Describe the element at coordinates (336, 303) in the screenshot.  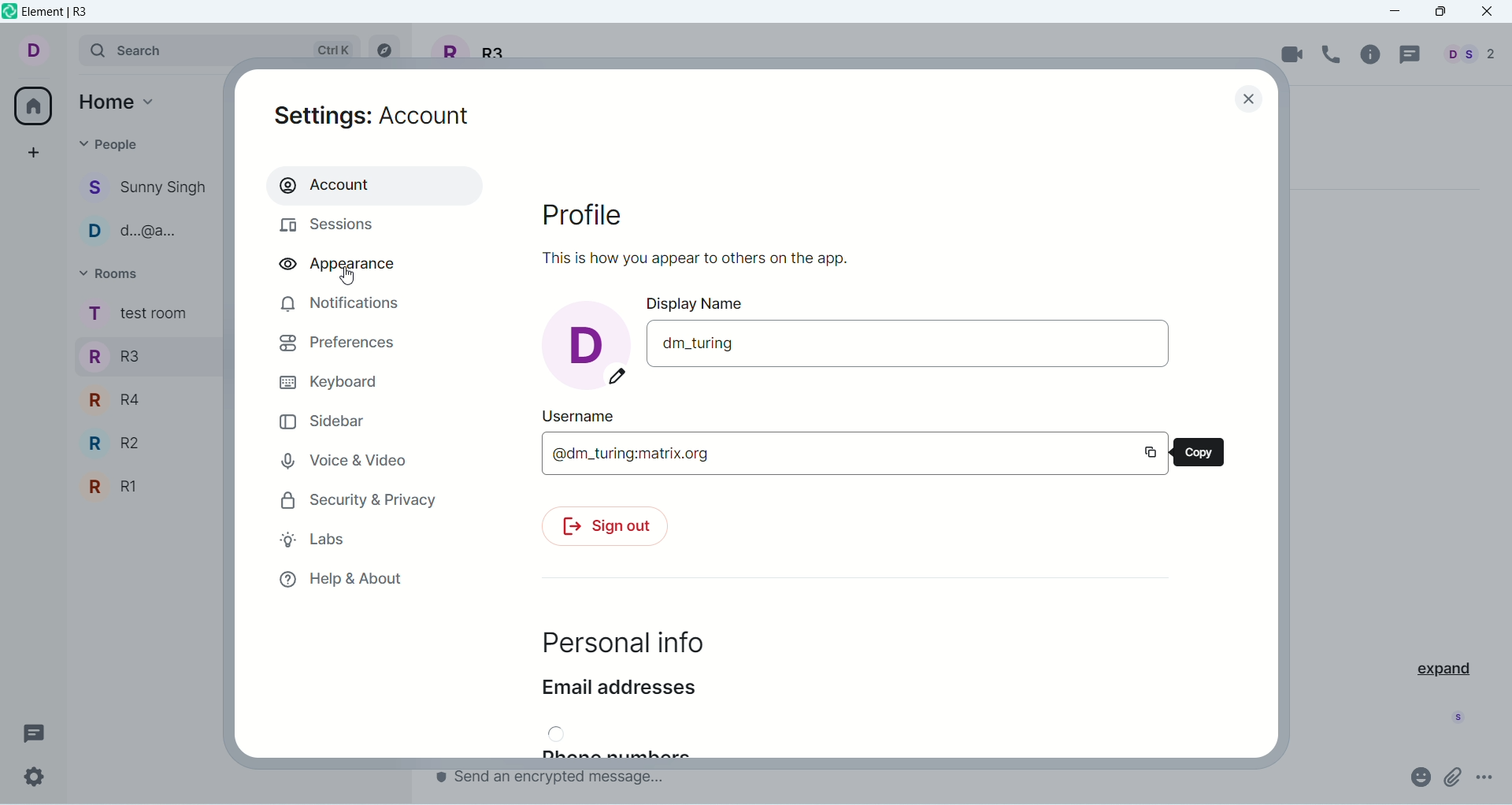
I see `notification` at that location.